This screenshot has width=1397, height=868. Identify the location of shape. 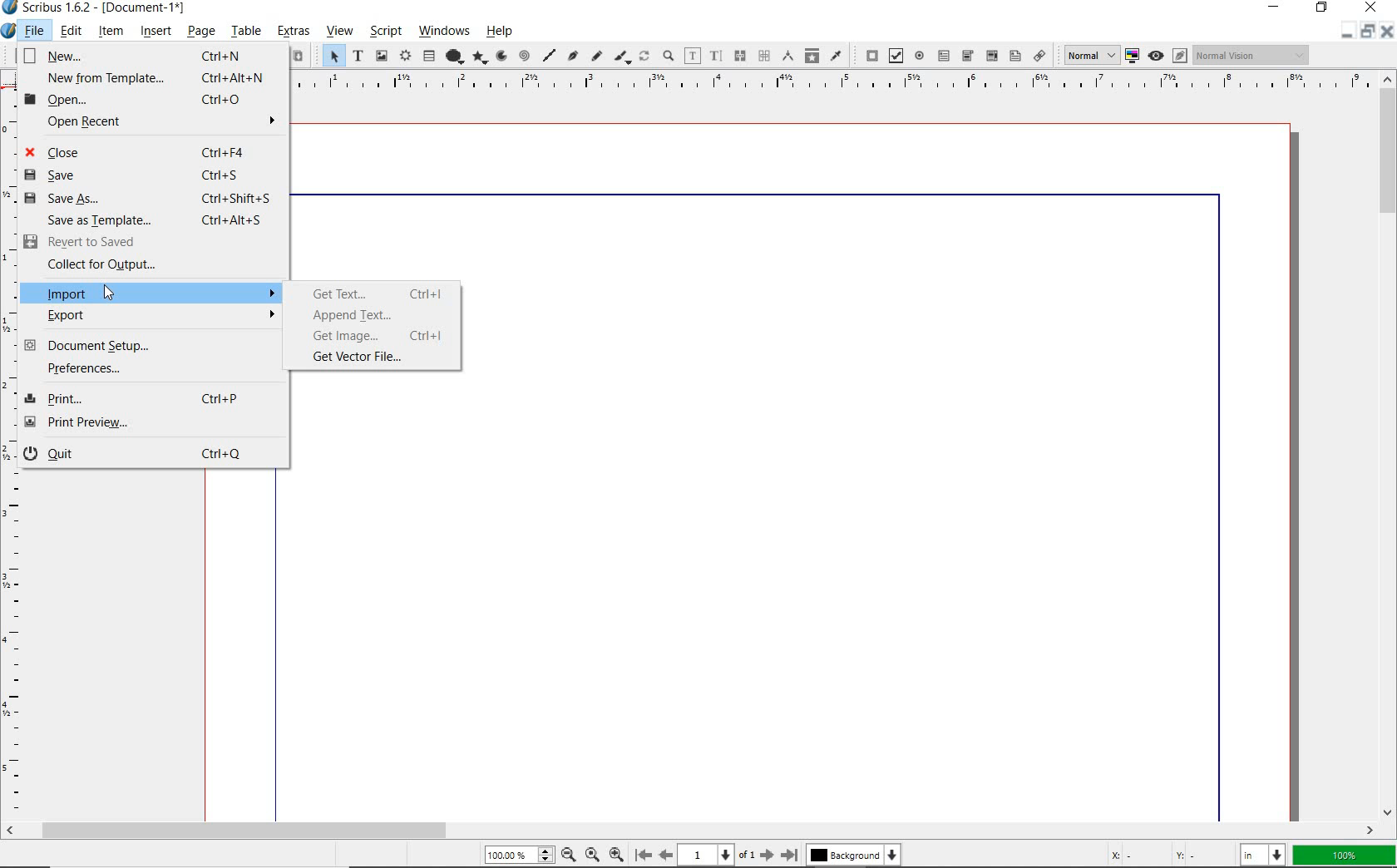
(452, 57).